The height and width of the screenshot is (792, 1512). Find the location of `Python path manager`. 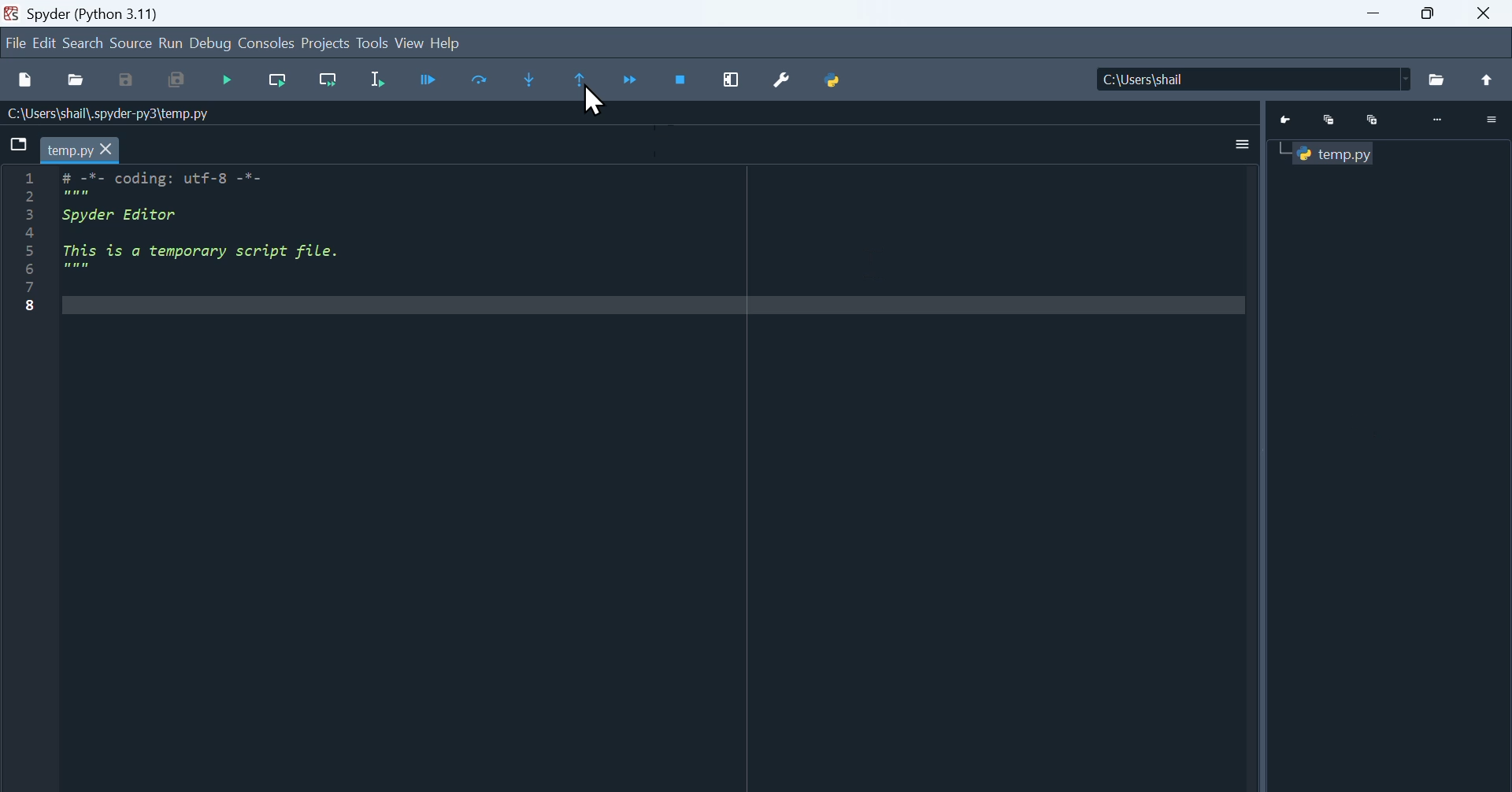

Python path manager is located at coordinates (835, 80).